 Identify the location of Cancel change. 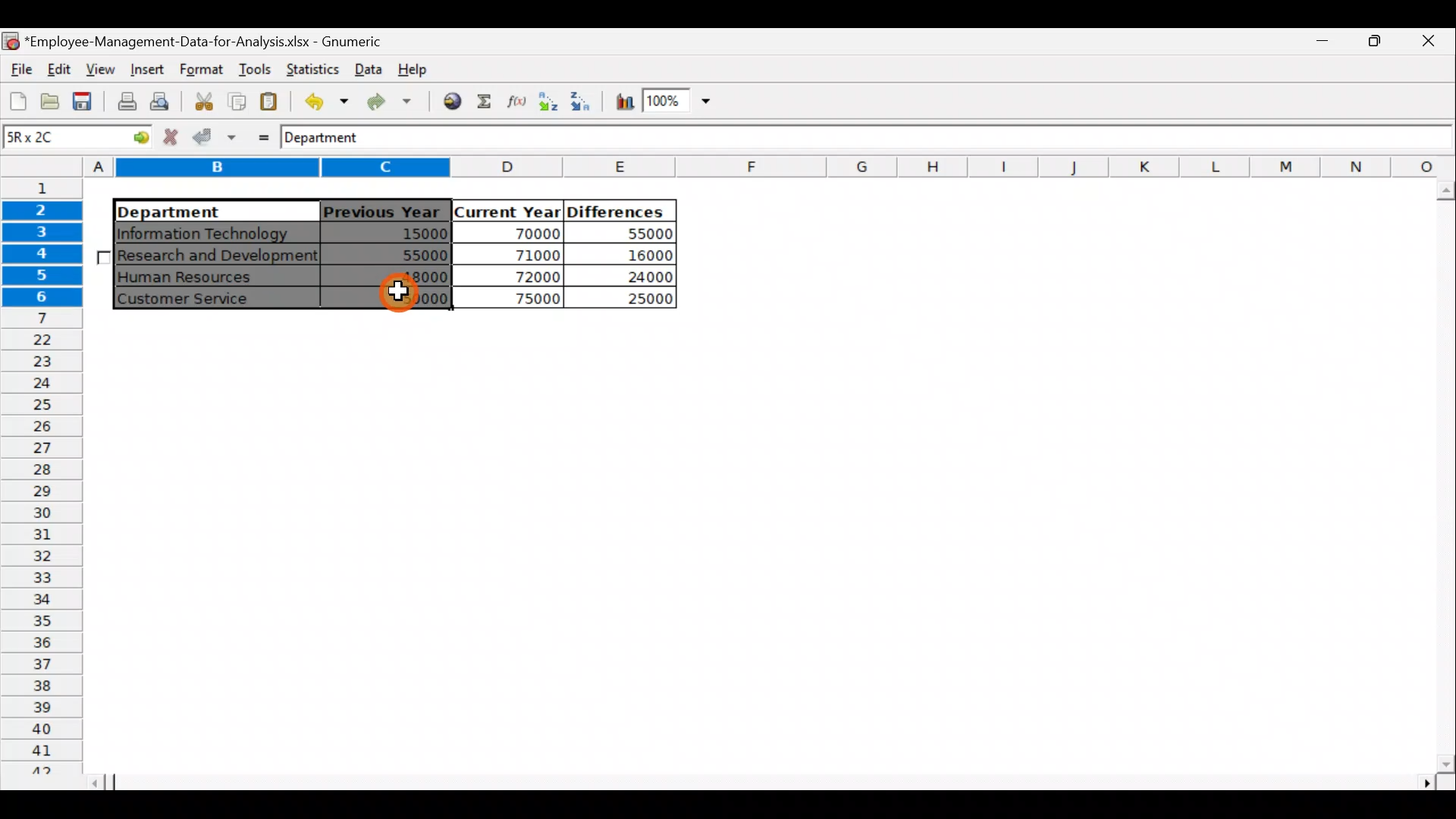
(172, 138).